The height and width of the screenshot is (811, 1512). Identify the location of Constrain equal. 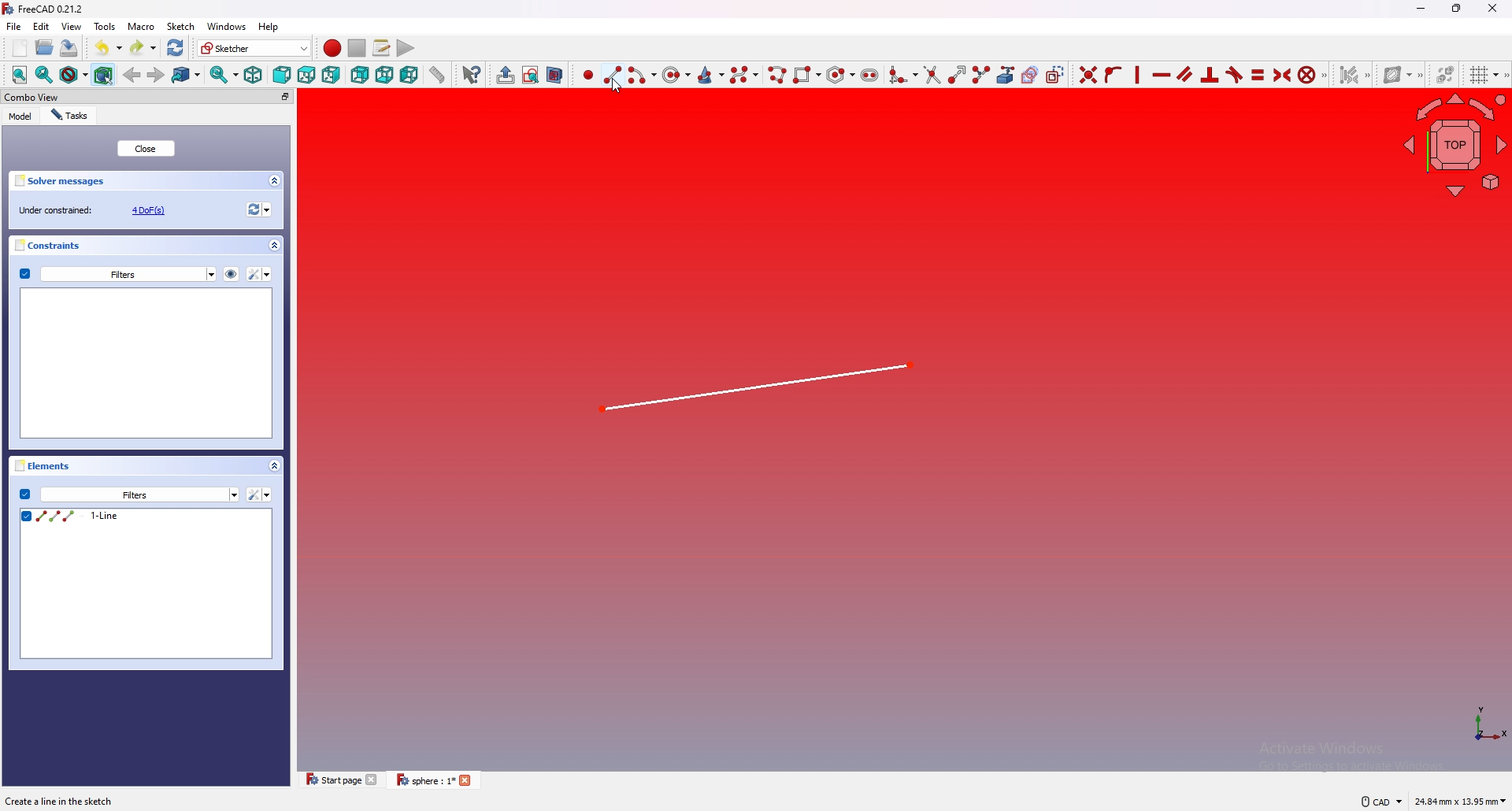
(1258, 74).